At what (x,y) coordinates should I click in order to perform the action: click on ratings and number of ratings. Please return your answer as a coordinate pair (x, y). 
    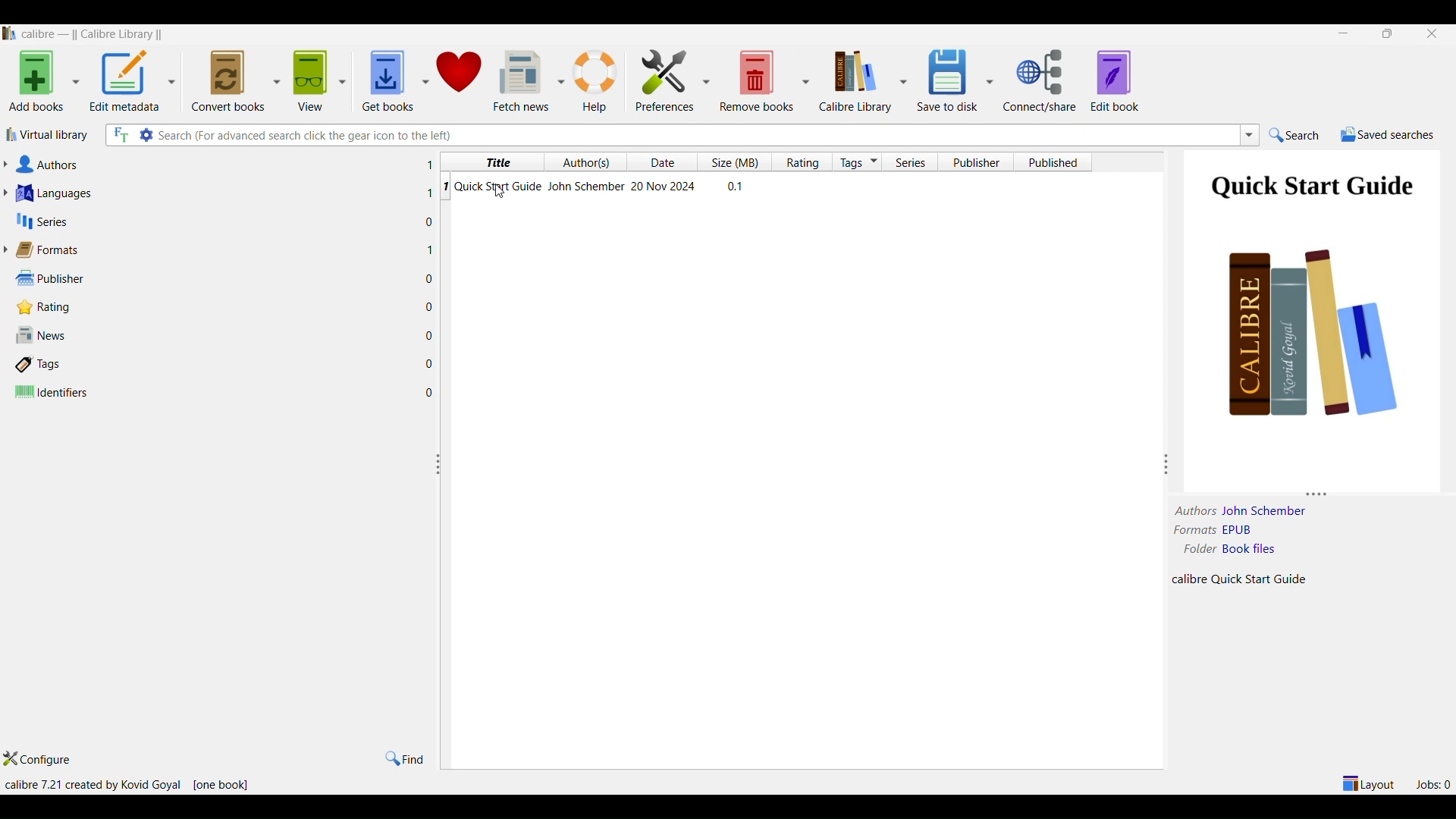
    Looking at the image, I should click on (227, 307).